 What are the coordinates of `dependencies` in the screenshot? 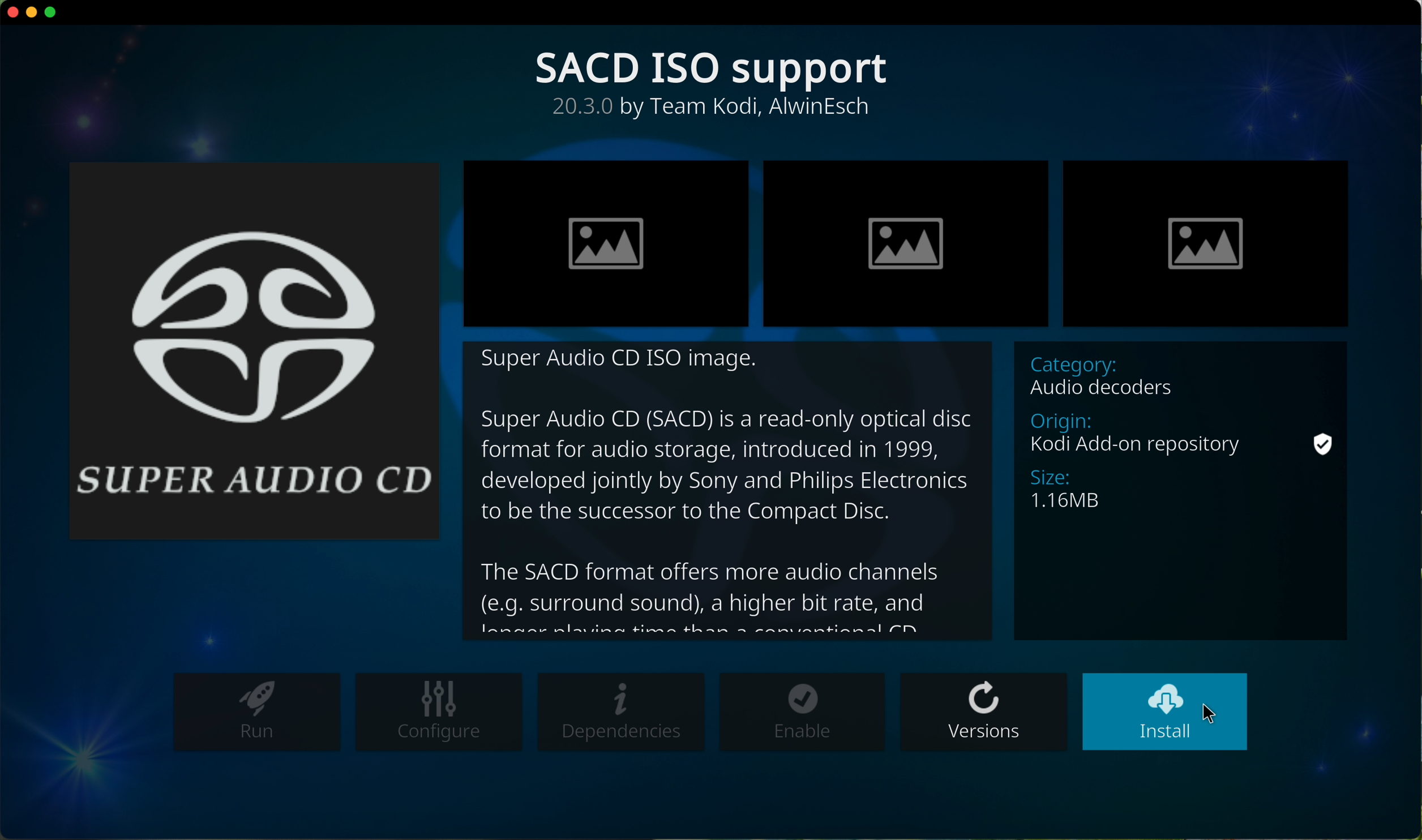 It's located at (623, 713).